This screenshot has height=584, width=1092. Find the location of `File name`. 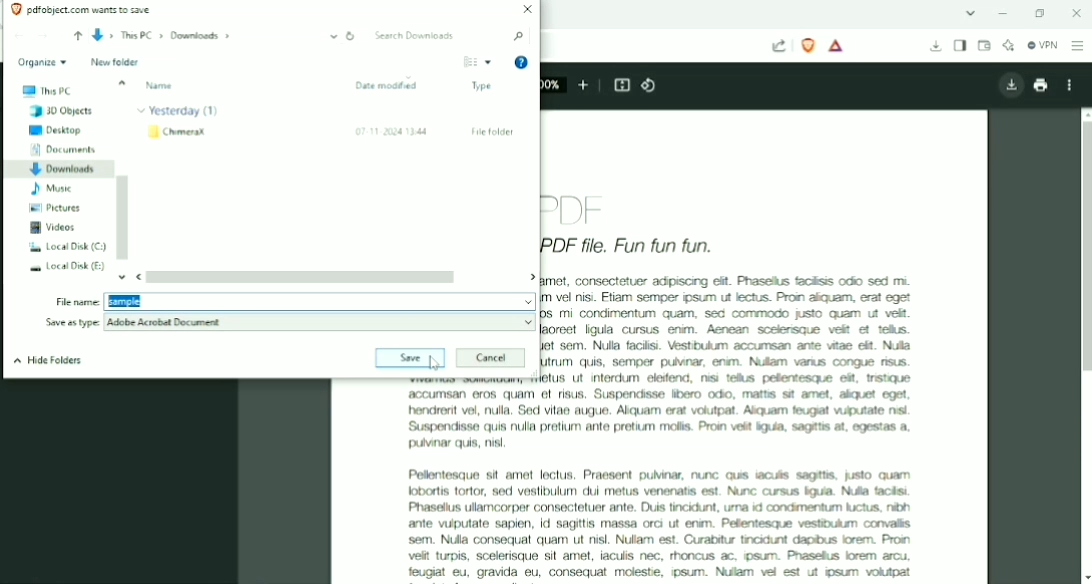

File name is located at coordinates (319, 300).